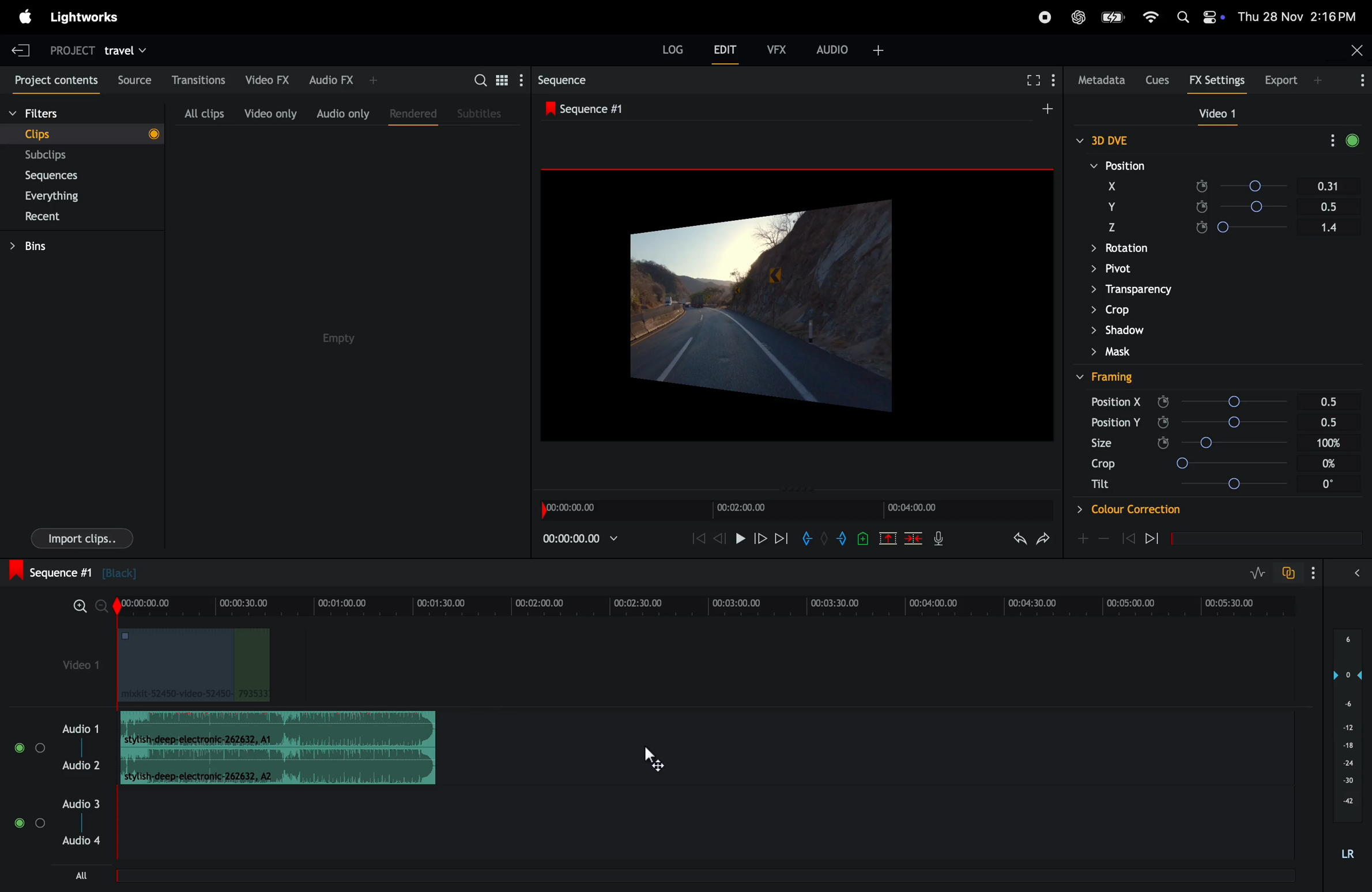 The width and height of the screenshot is (1372, 892). What do you see at coordinates (84, 875) in the screenshot?
I see `all` at bounding box center [84, 875].